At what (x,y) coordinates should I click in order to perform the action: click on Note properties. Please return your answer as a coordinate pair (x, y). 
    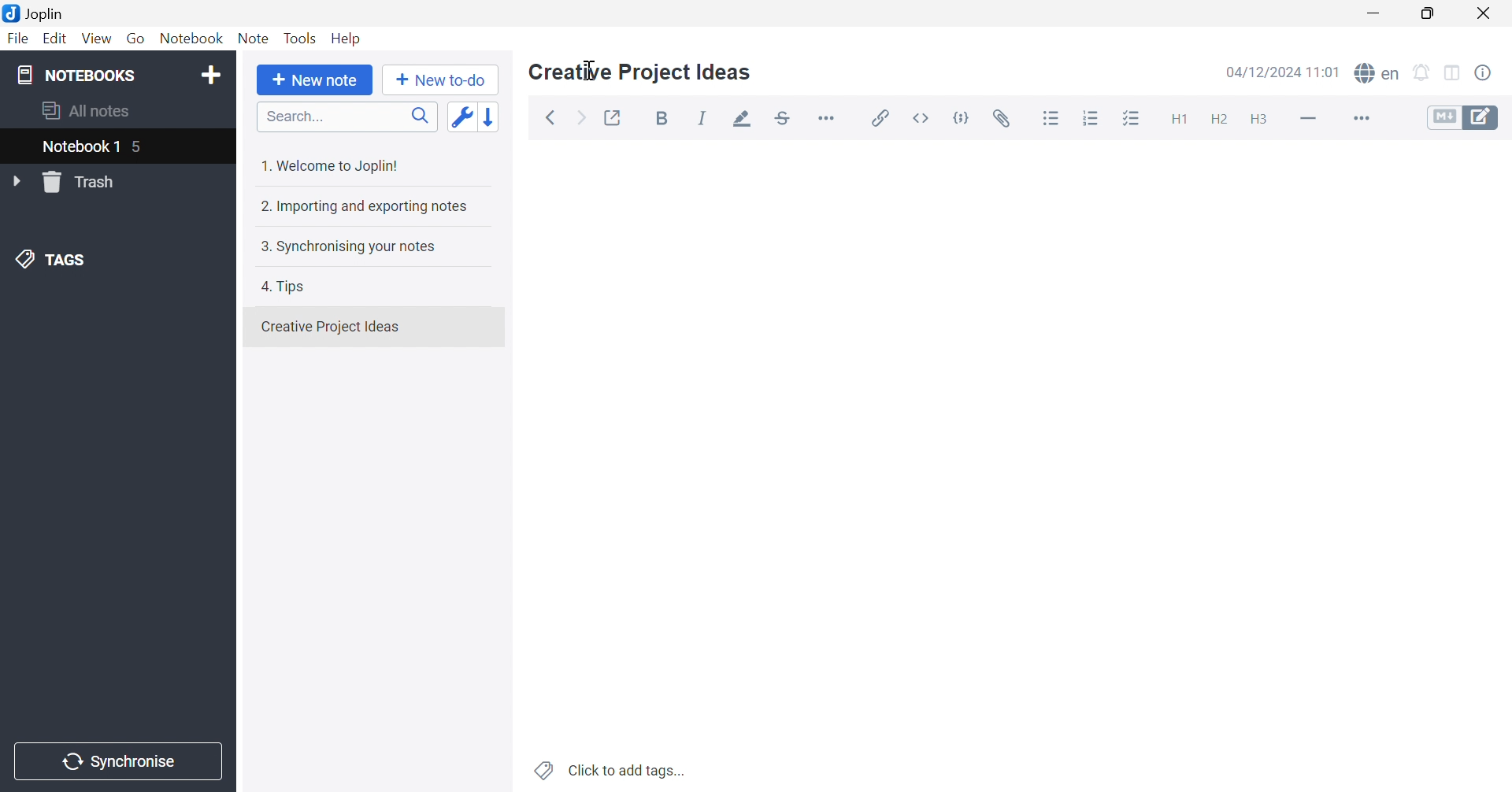
    Looking at the image, I should click on (1492, 73).